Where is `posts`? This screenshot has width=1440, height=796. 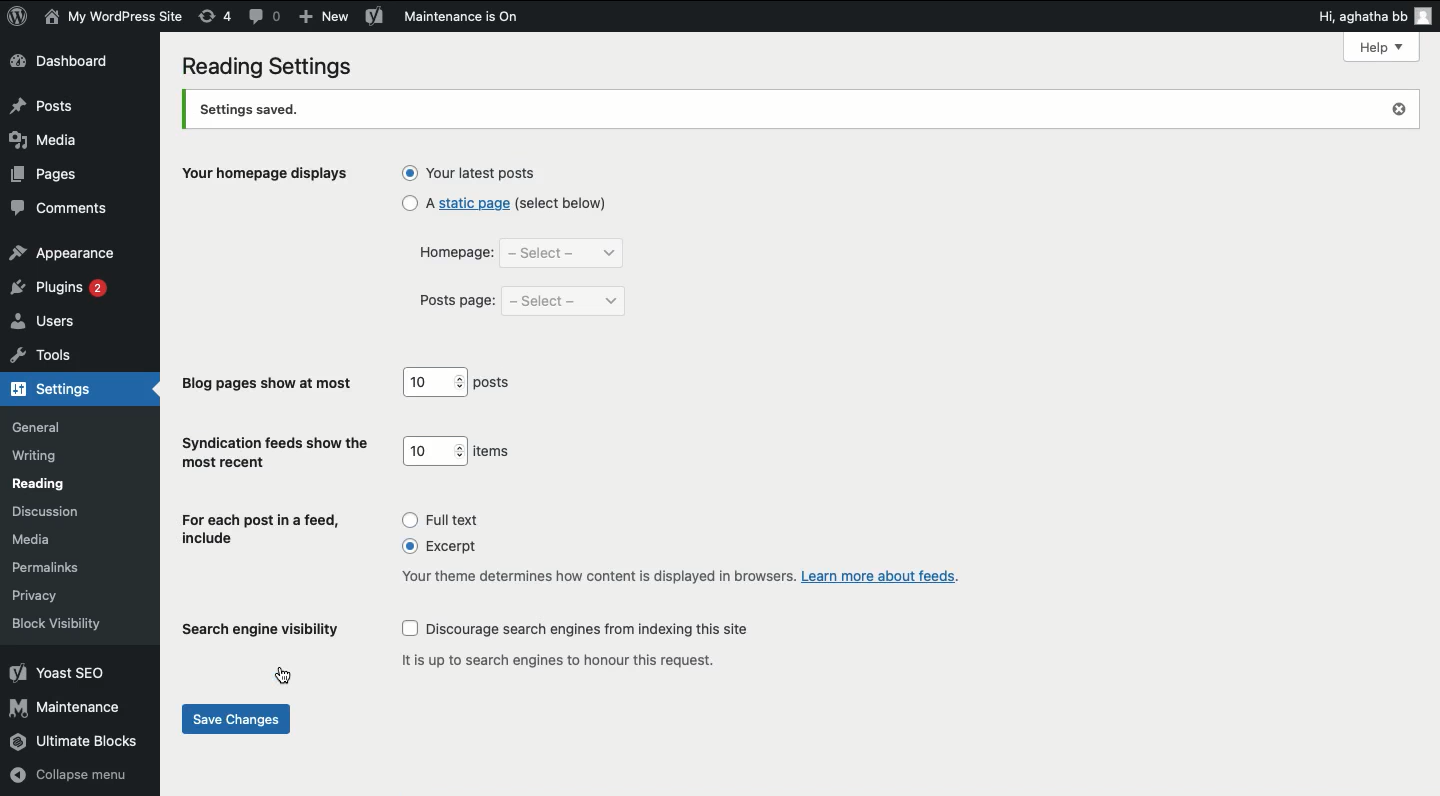
posts is located at coordinates (492, 382).